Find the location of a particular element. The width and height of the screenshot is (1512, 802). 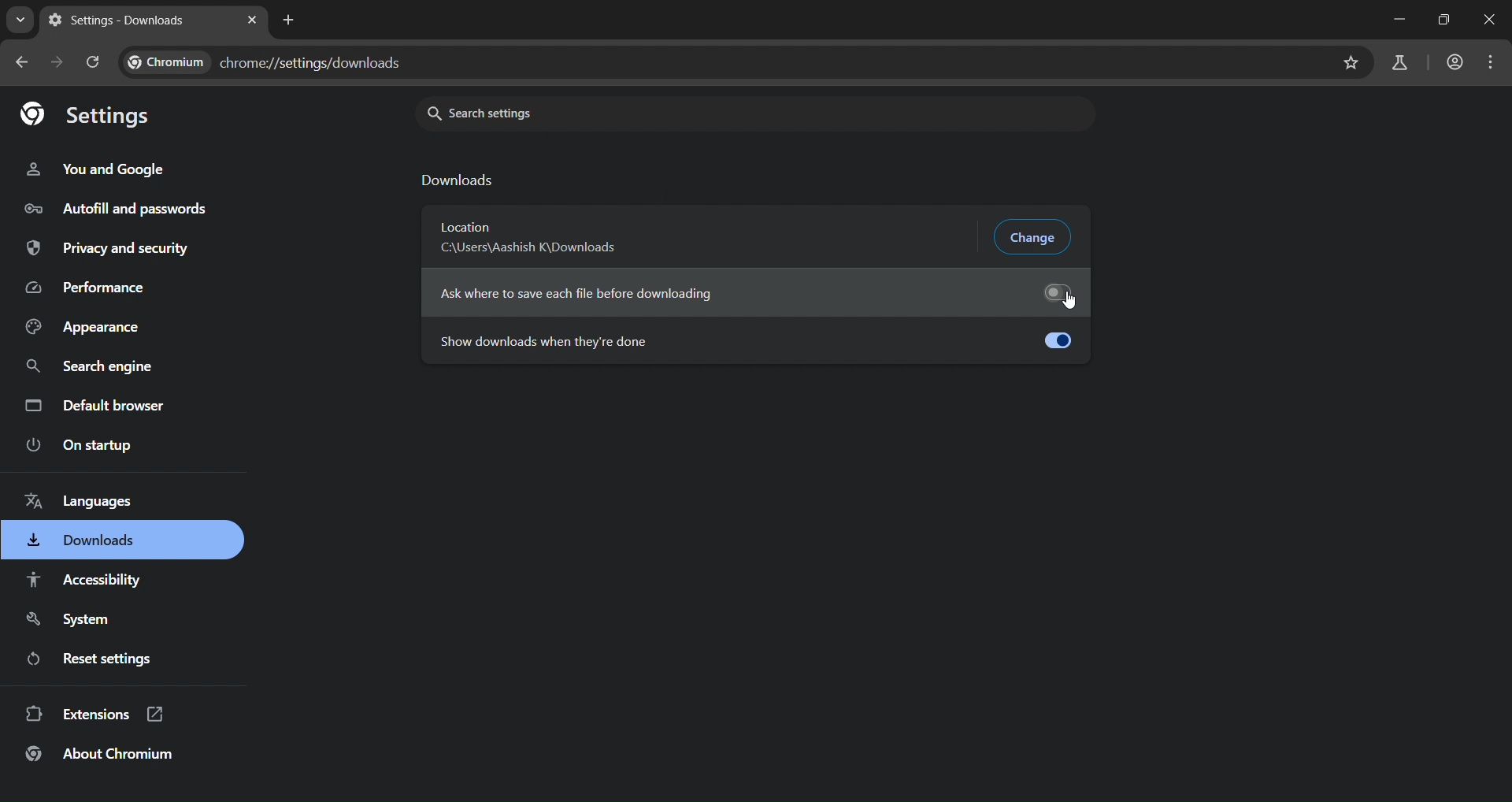

Location(C:\Users\Ashish K\Downloads is located at coordinates (534, 238).